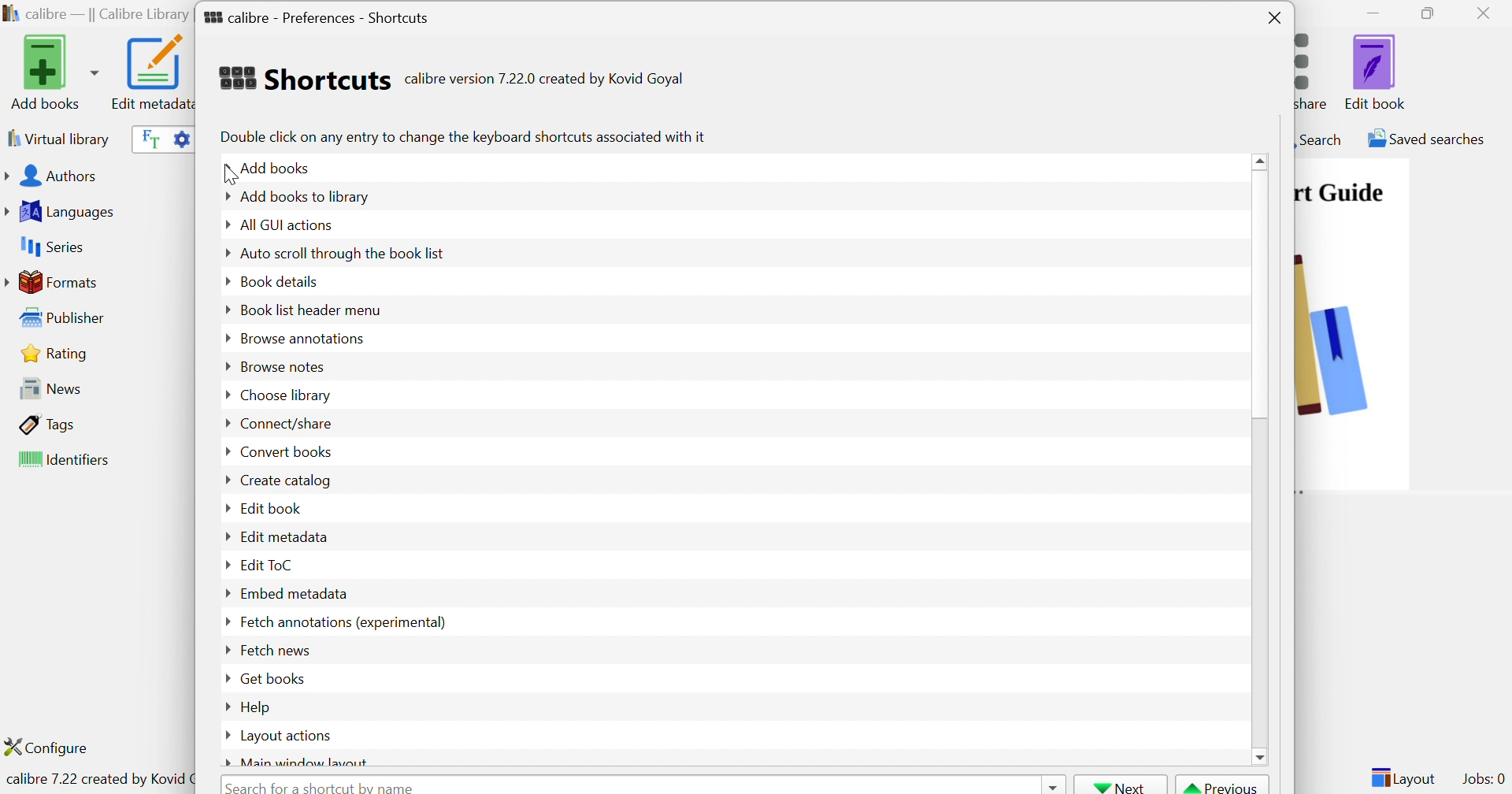 This screenshot has height=794, width=1512. What do you see at coordinates (57, 138) in the screenshot?
I see `Virtual library` at bounding box center [57, 138].